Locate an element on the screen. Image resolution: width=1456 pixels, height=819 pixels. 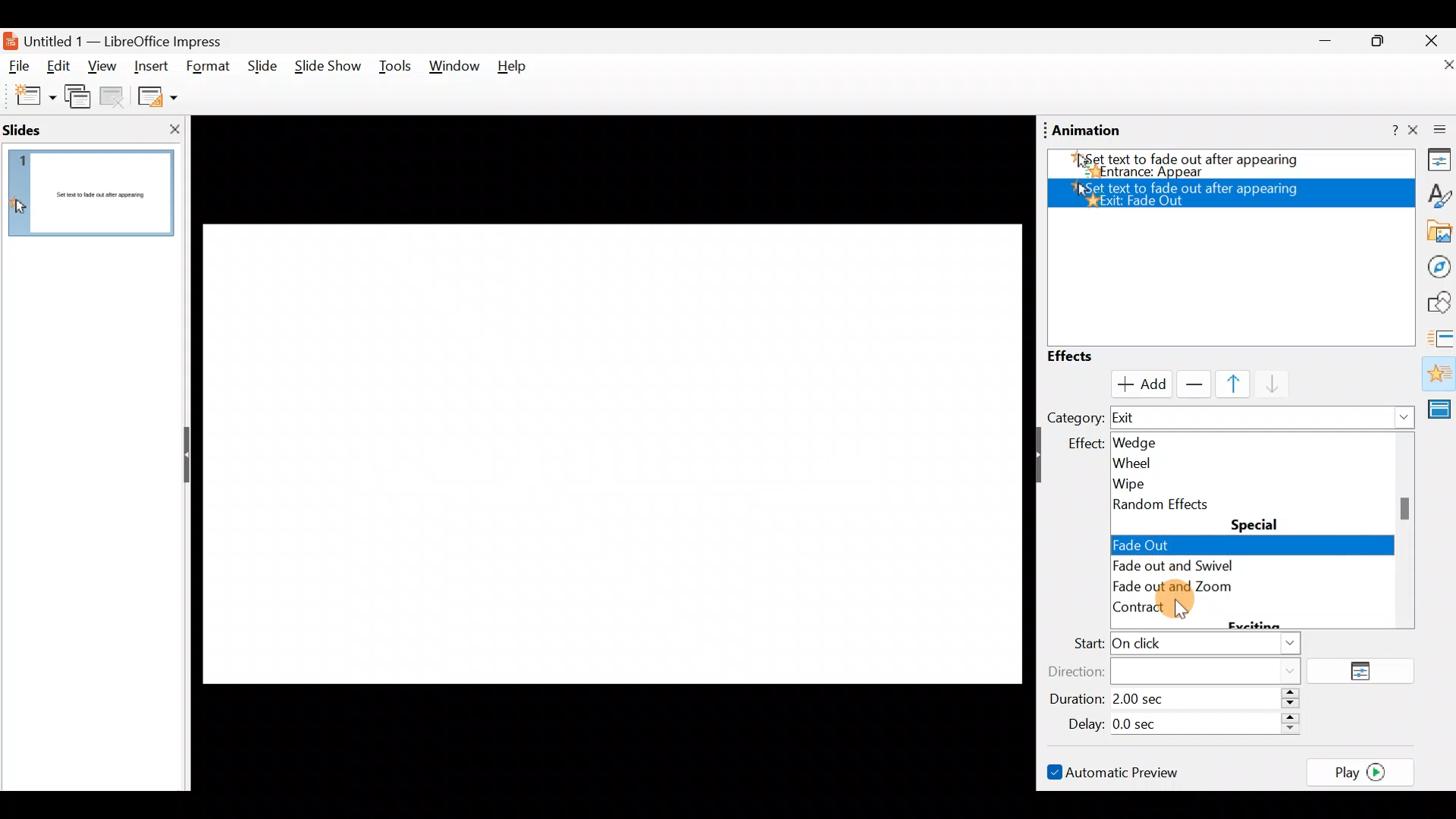
Automatic preview is located at coordinates (1116, 771).